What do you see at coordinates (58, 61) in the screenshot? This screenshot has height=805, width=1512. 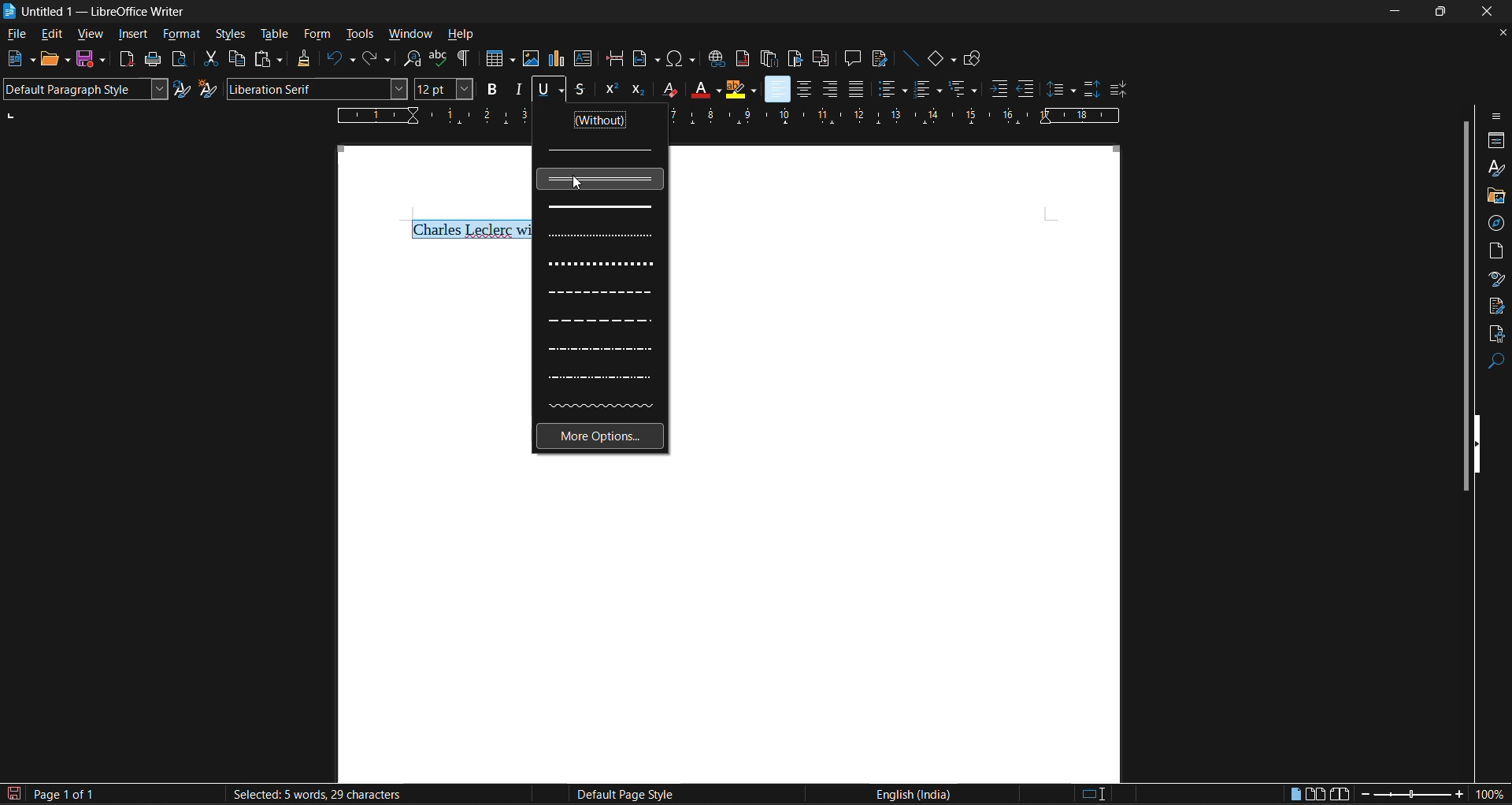 I see `open` at bounding box center [58, 61].